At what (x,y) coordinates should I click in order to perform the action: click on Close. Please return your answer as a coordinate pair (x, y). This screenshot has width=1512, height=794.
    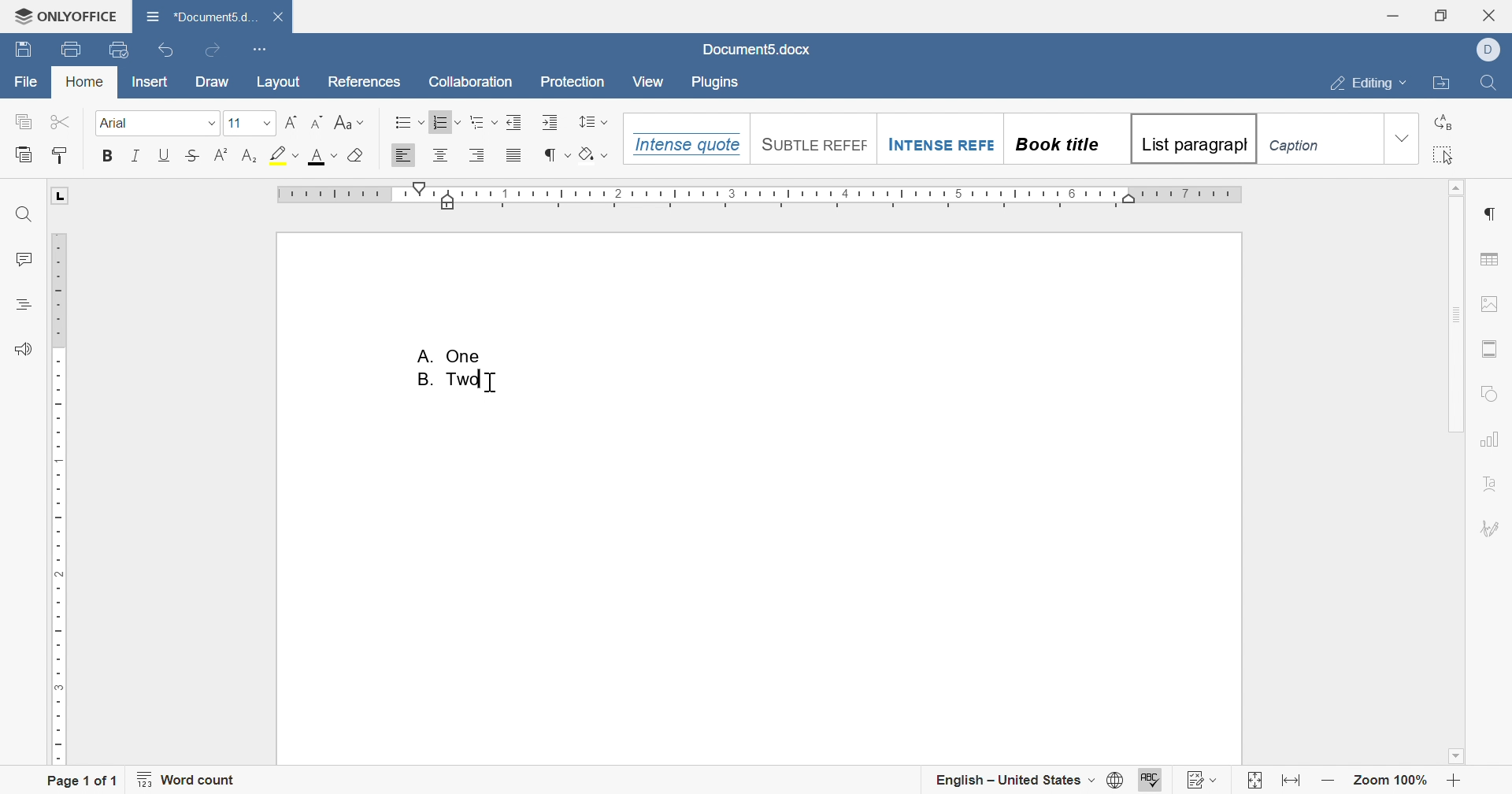
    Looking at the image, I should click on (279, 17).